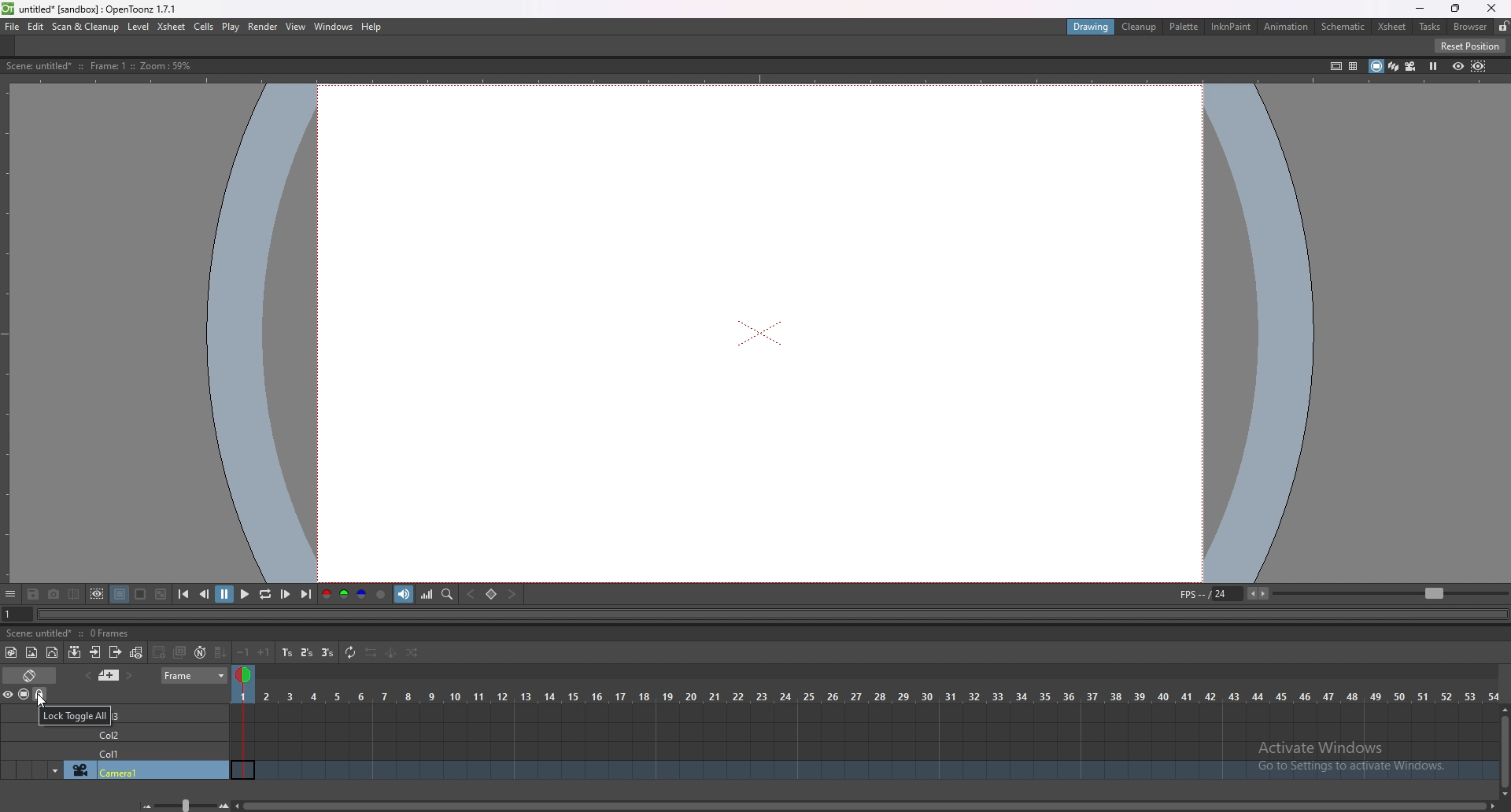  Describe the element at coordinates (382, 594) in the screenshot. I see `alpha` at that location.